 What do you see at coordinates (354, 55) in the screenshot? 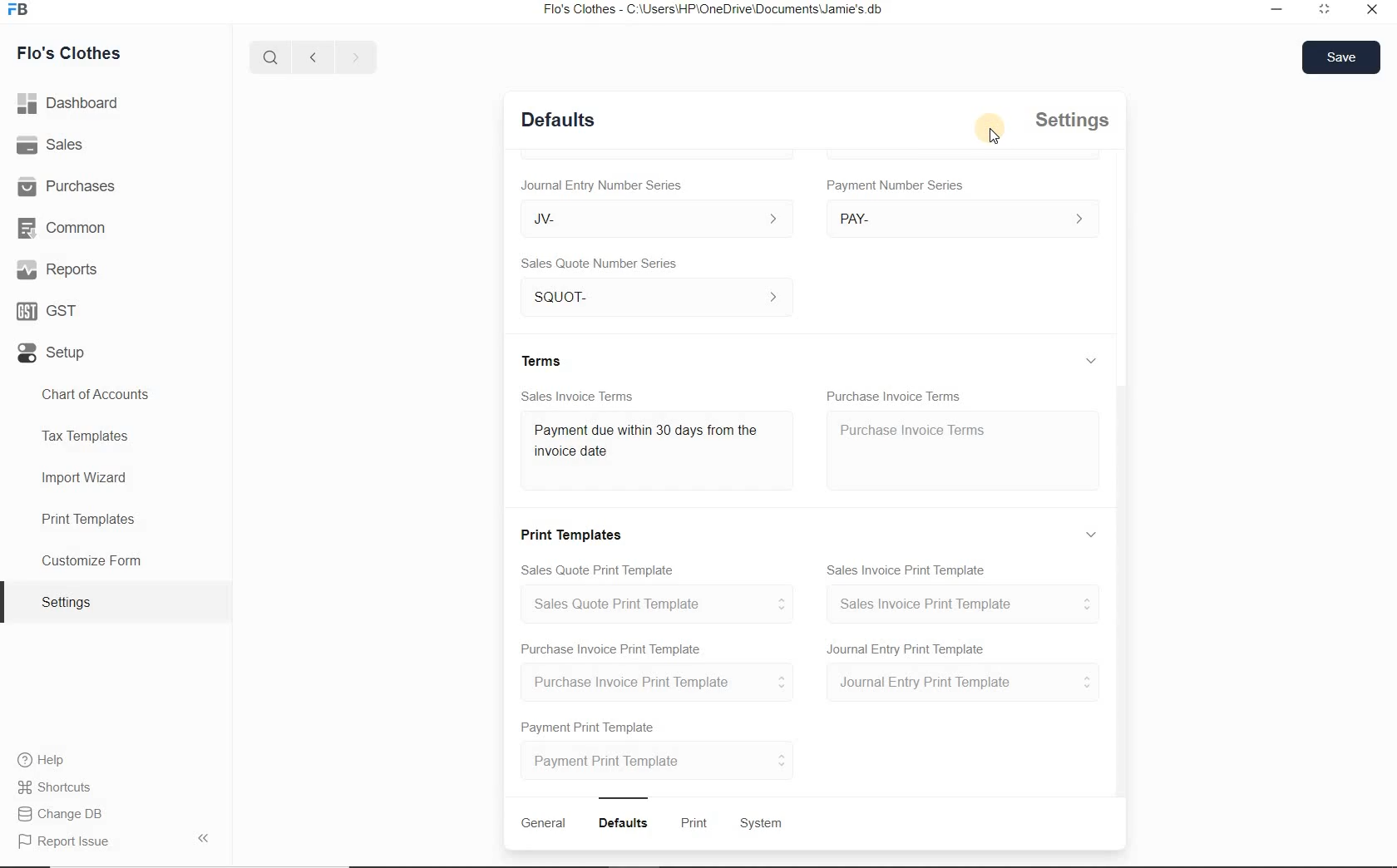
I see `Forward` at bounding box center [354, 55].